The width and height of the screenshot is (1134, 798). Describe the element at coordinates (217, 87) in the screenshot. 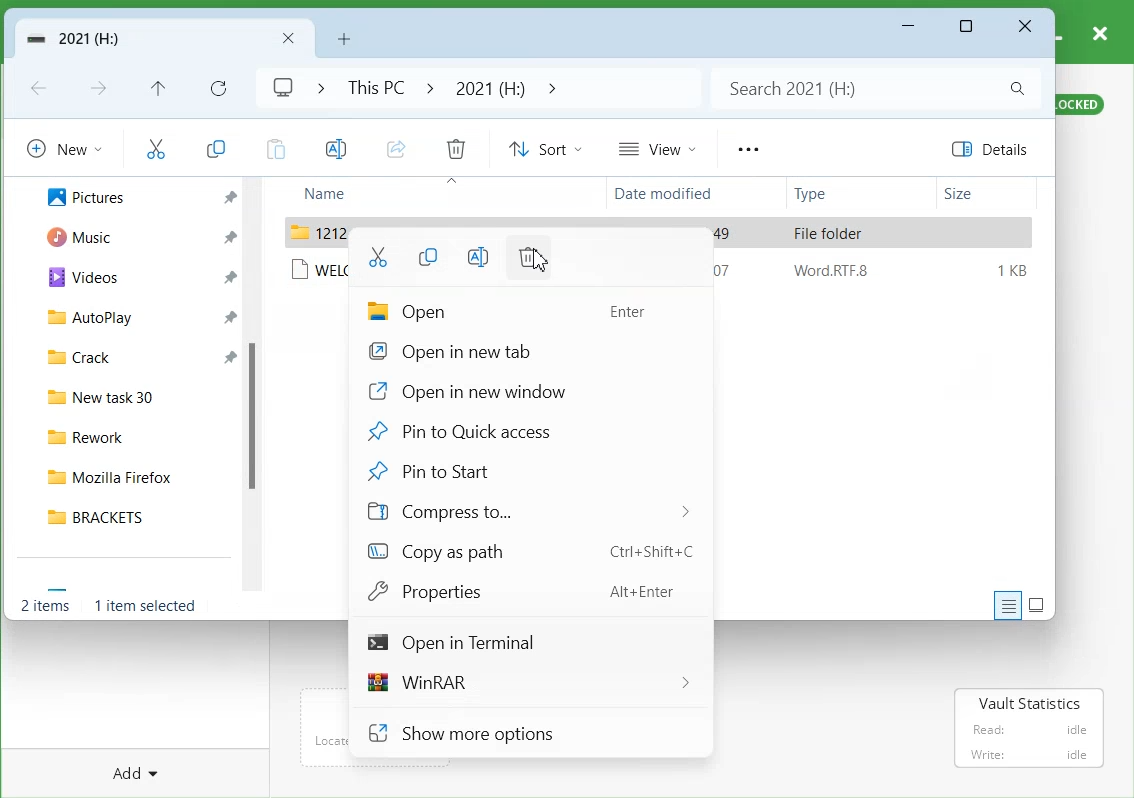

I see `Refresh` at that location.